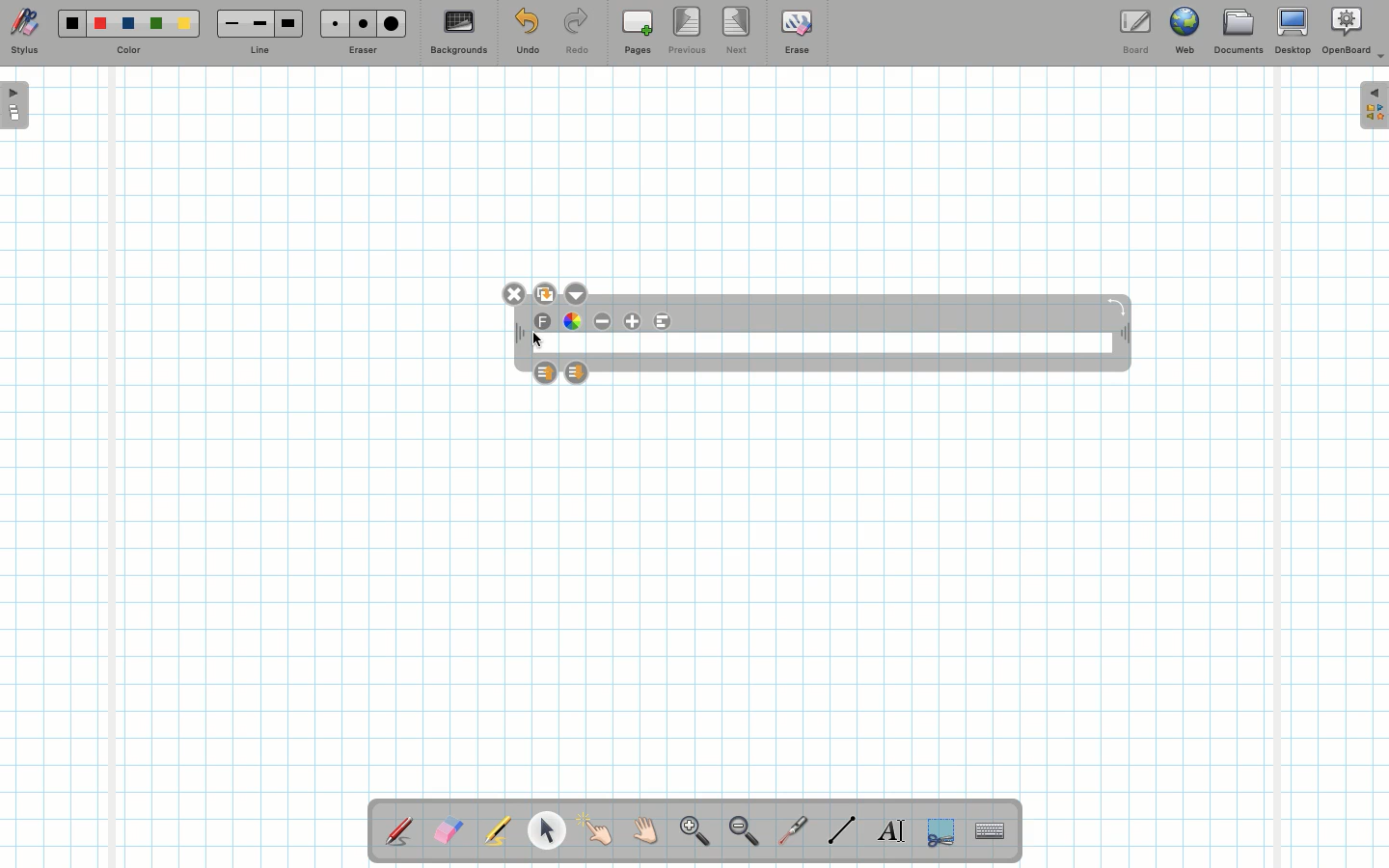  What do you see at coordinates (458, 33) in the screenshot?
I see `Backgrounds` at bounding box center [458, 33].